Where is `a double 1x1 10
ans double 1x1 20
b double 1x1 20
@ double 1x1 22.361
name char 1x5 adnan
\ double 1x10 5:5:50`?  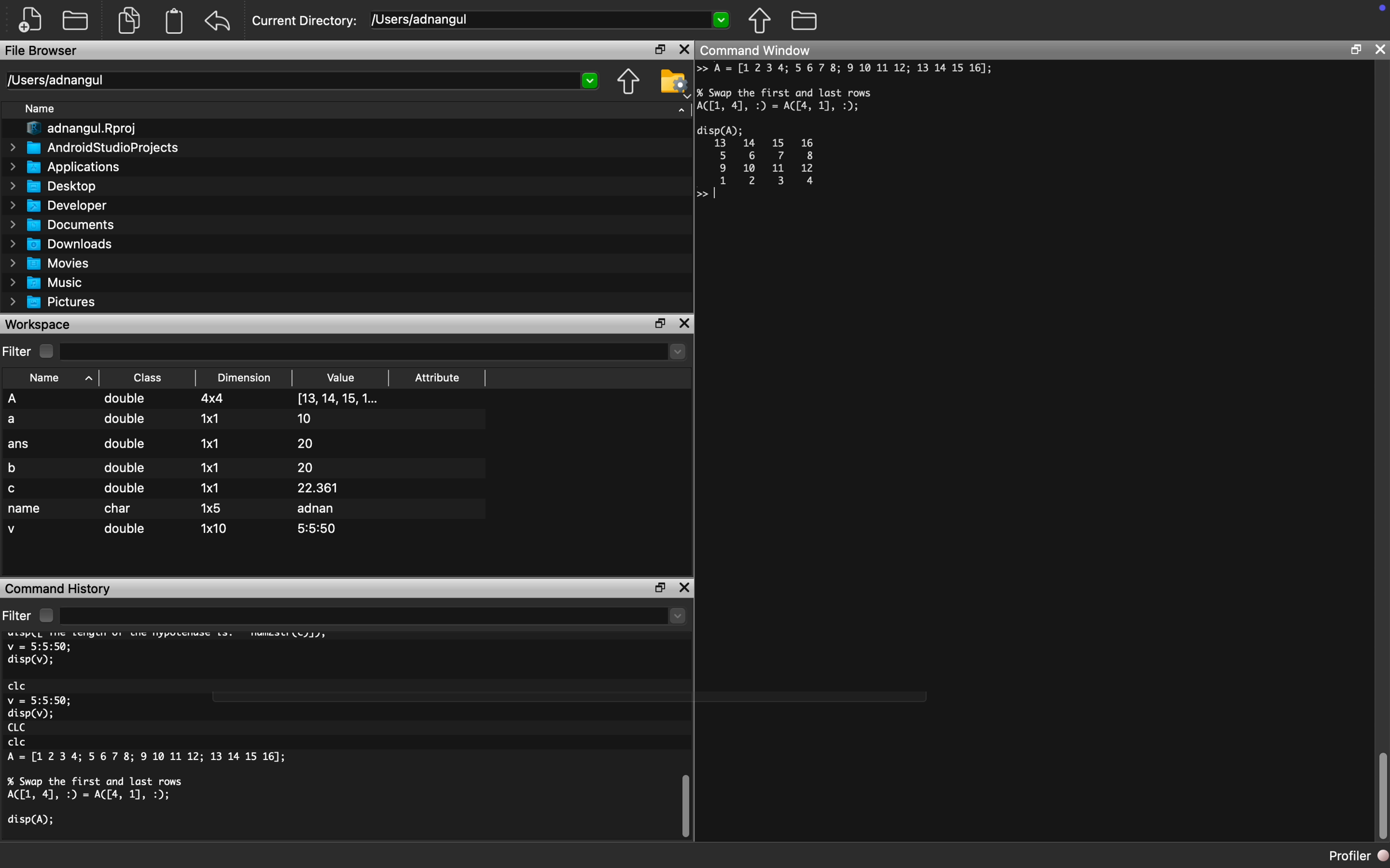
a double 1x1 10
ans double 1x1 20
b double 1x1 20
@ double 1x1 22.361
name char 1x5 adnan
\ double 1x10 5:5:50 is located at coordinates (249, 464).